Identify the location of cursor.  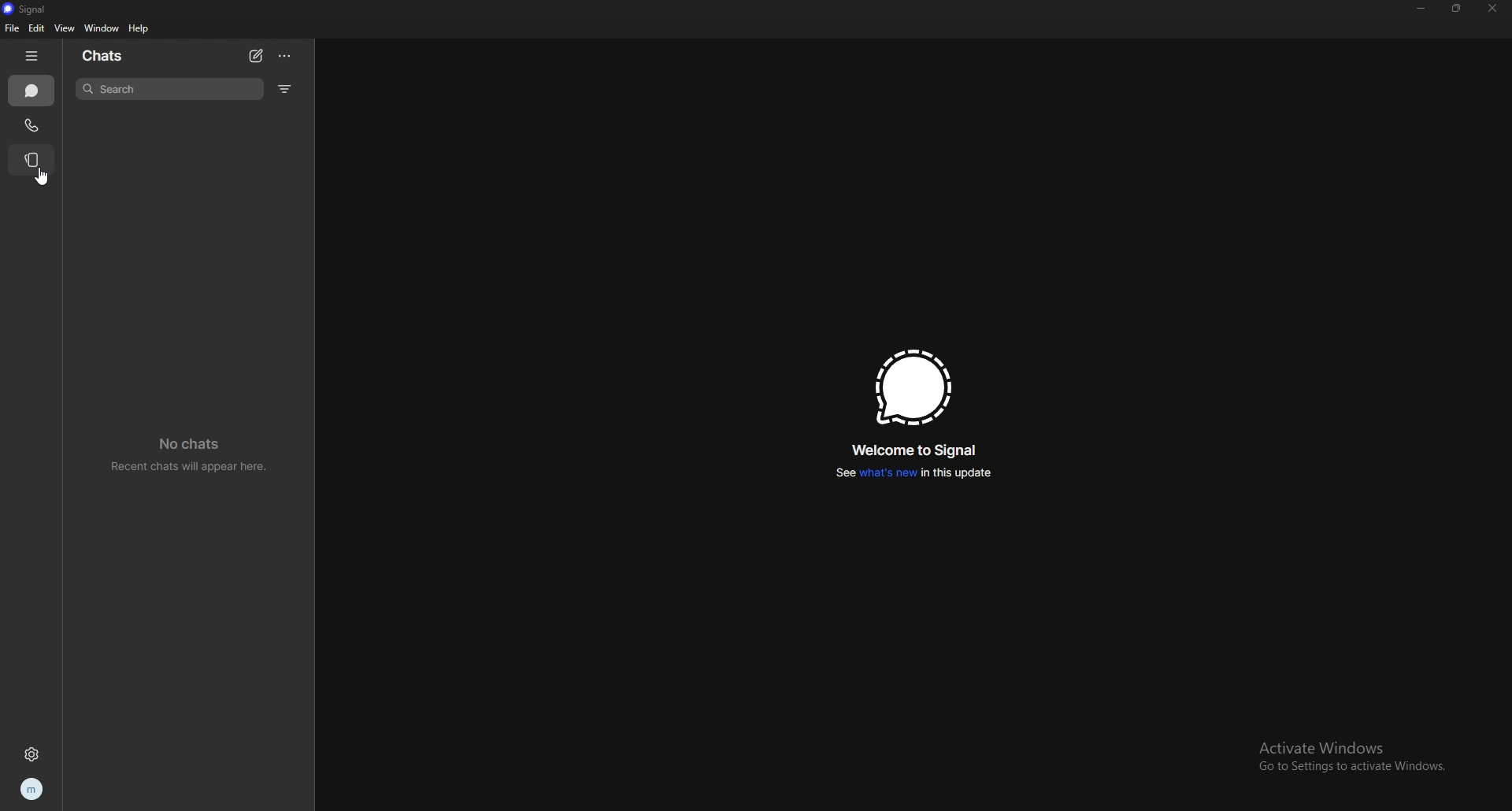
(39, 173).